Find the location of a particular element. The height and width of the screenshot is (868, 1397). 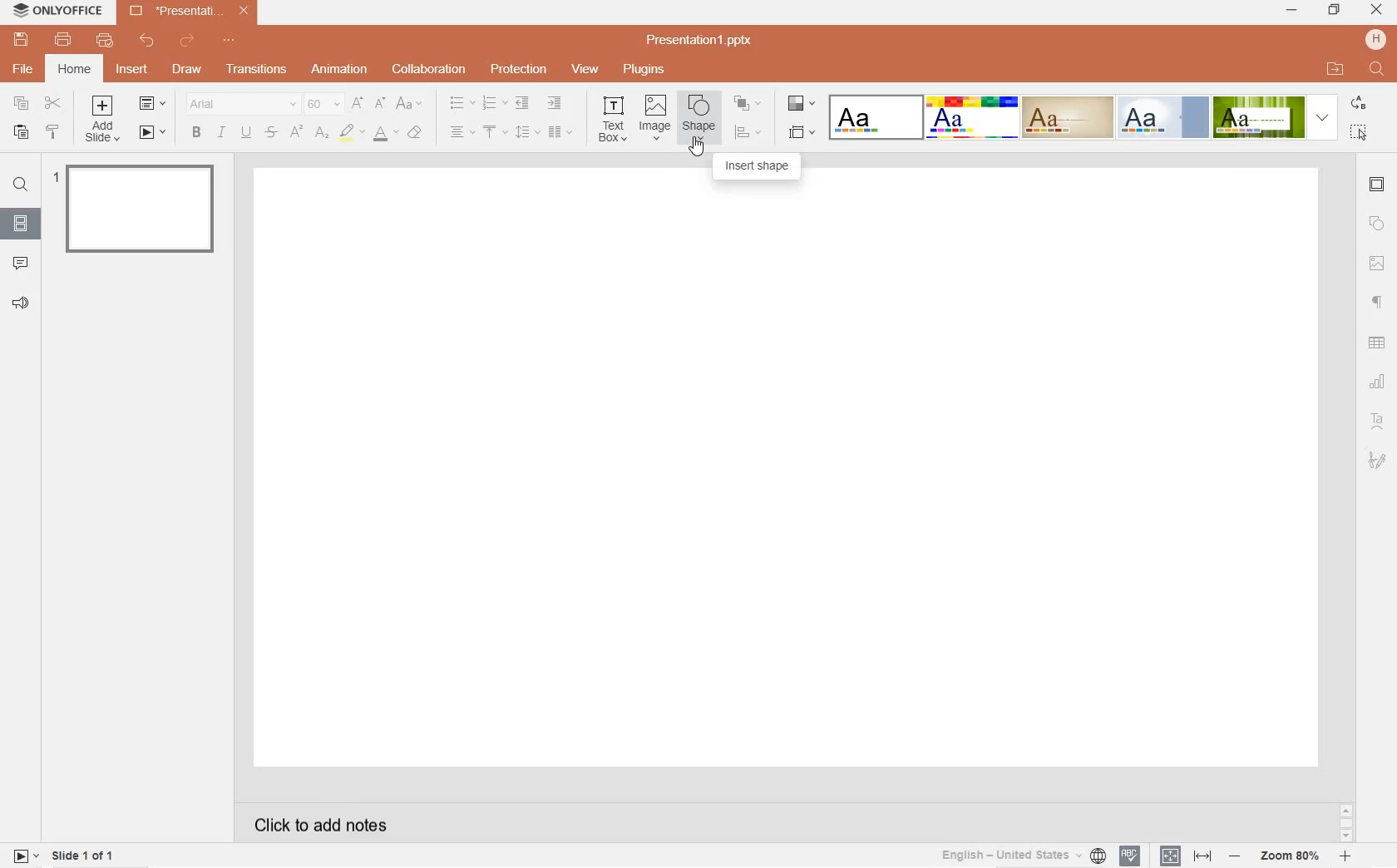

shape is located at coordinates (697, 117).